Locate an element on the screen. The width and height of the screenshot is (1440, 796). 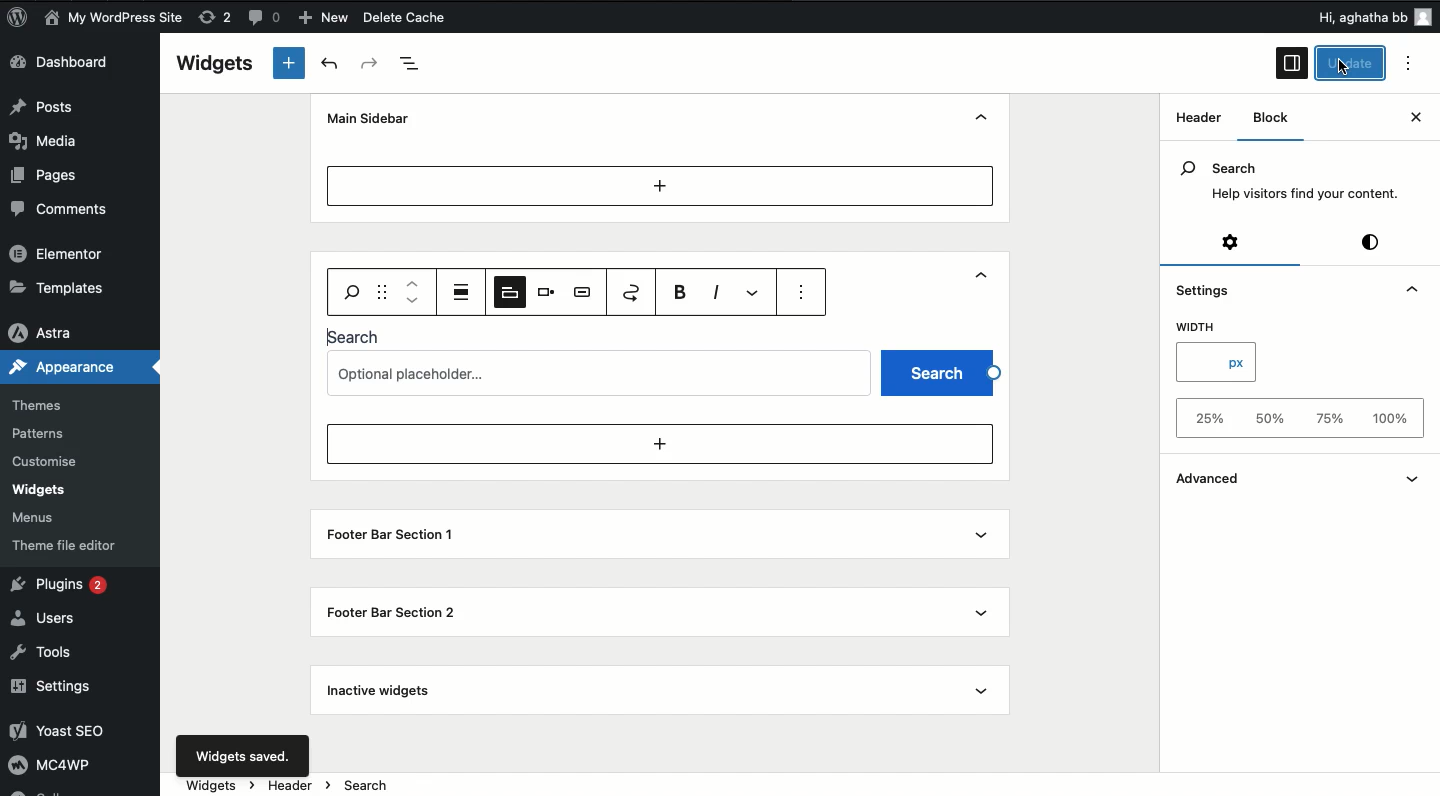
Appearance is located at coordinates (67, 367).